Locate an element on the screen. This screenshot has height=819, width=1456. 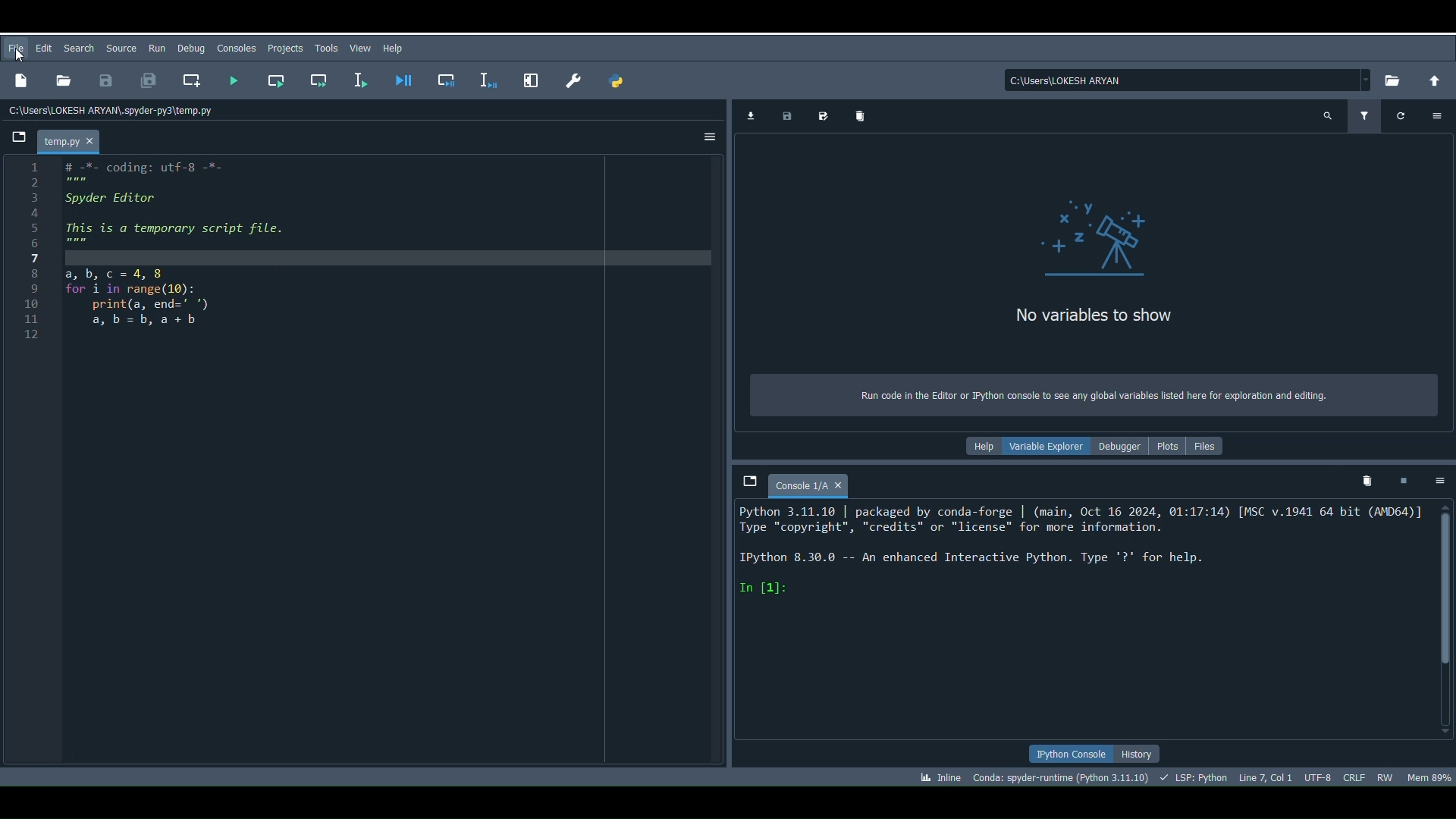
Save data is located at coordinates (786, 115).